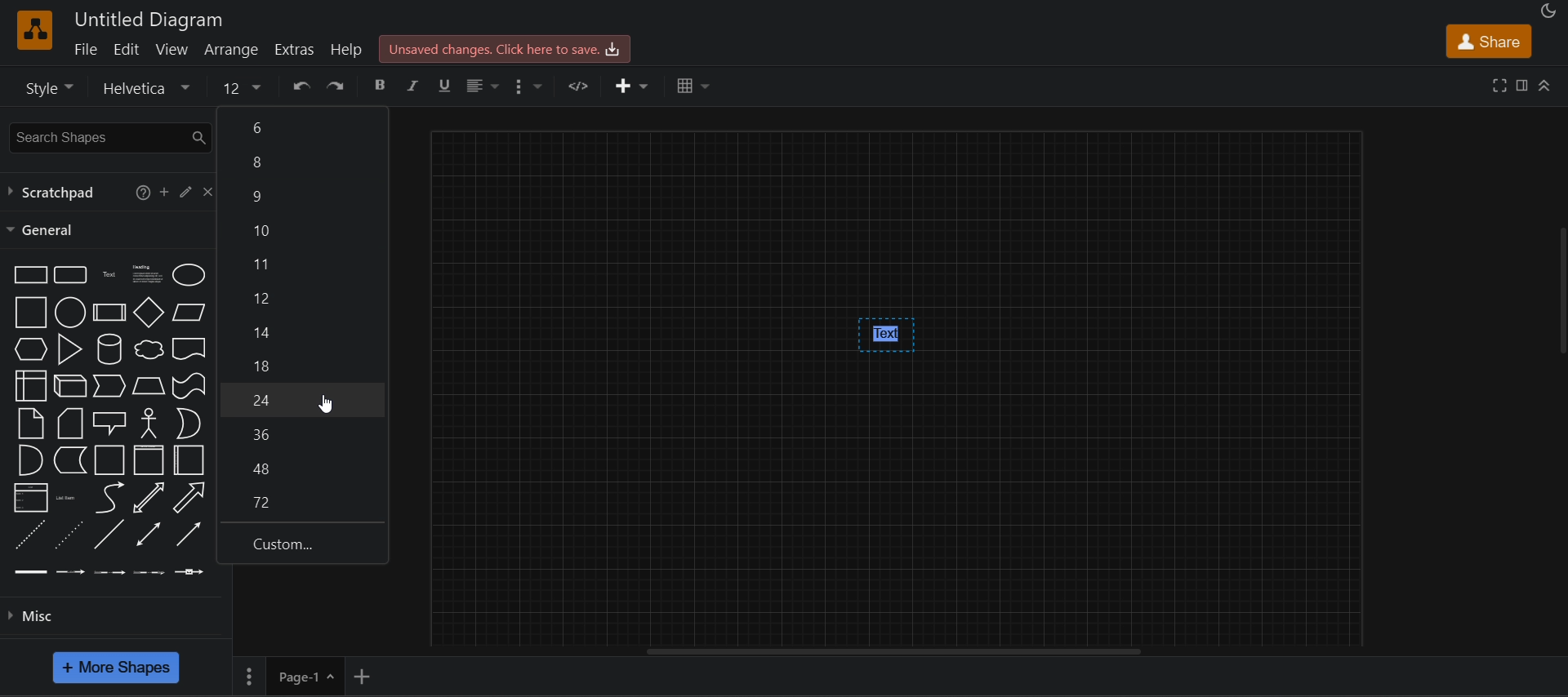 This screenshot has width=1568, height=697. I want to click on 2, so click(301, 297).